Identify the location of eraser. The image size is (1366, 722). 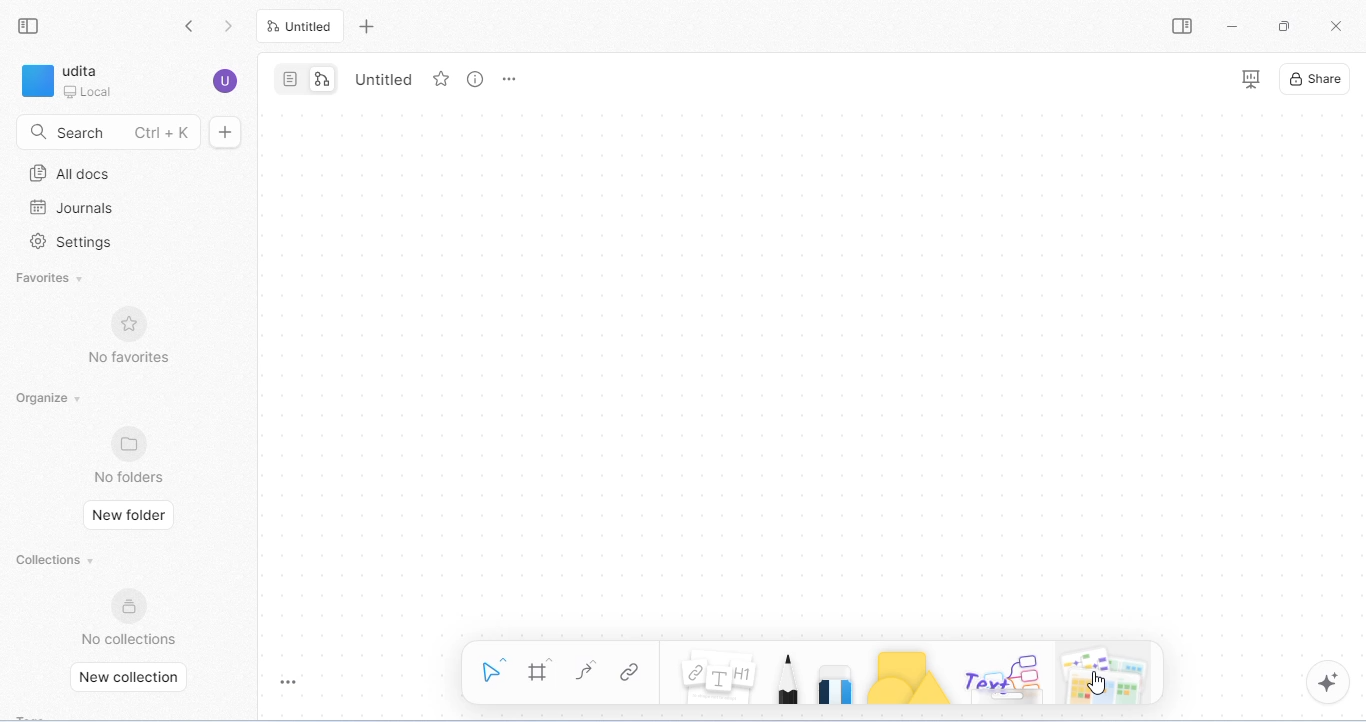
(837, 682).